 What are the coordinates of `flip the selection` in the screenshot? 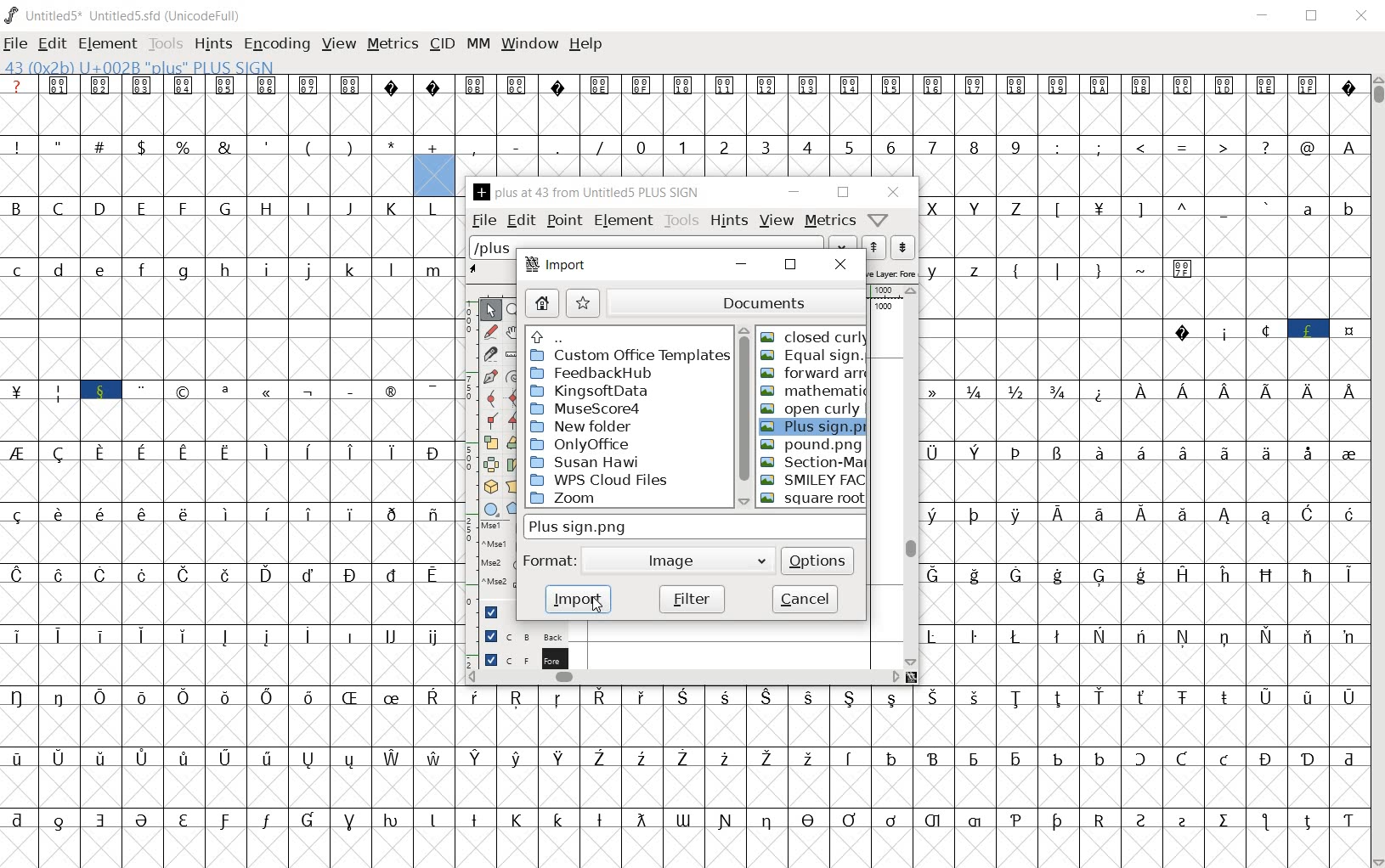 It's located at (489, 465).